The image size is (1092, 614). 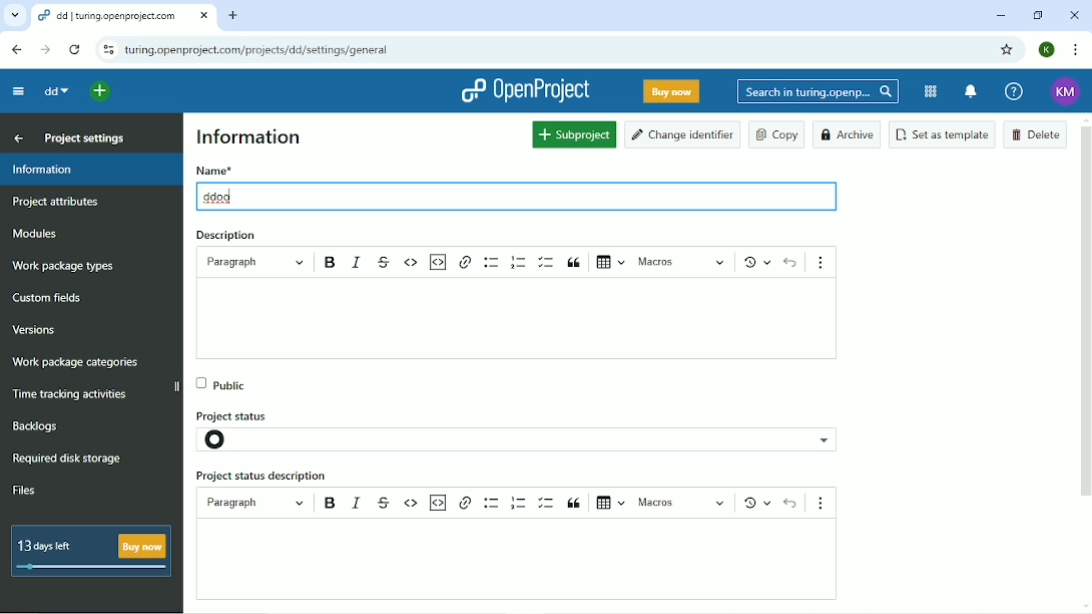 I want to click on Name, so click(x=214, y=170).